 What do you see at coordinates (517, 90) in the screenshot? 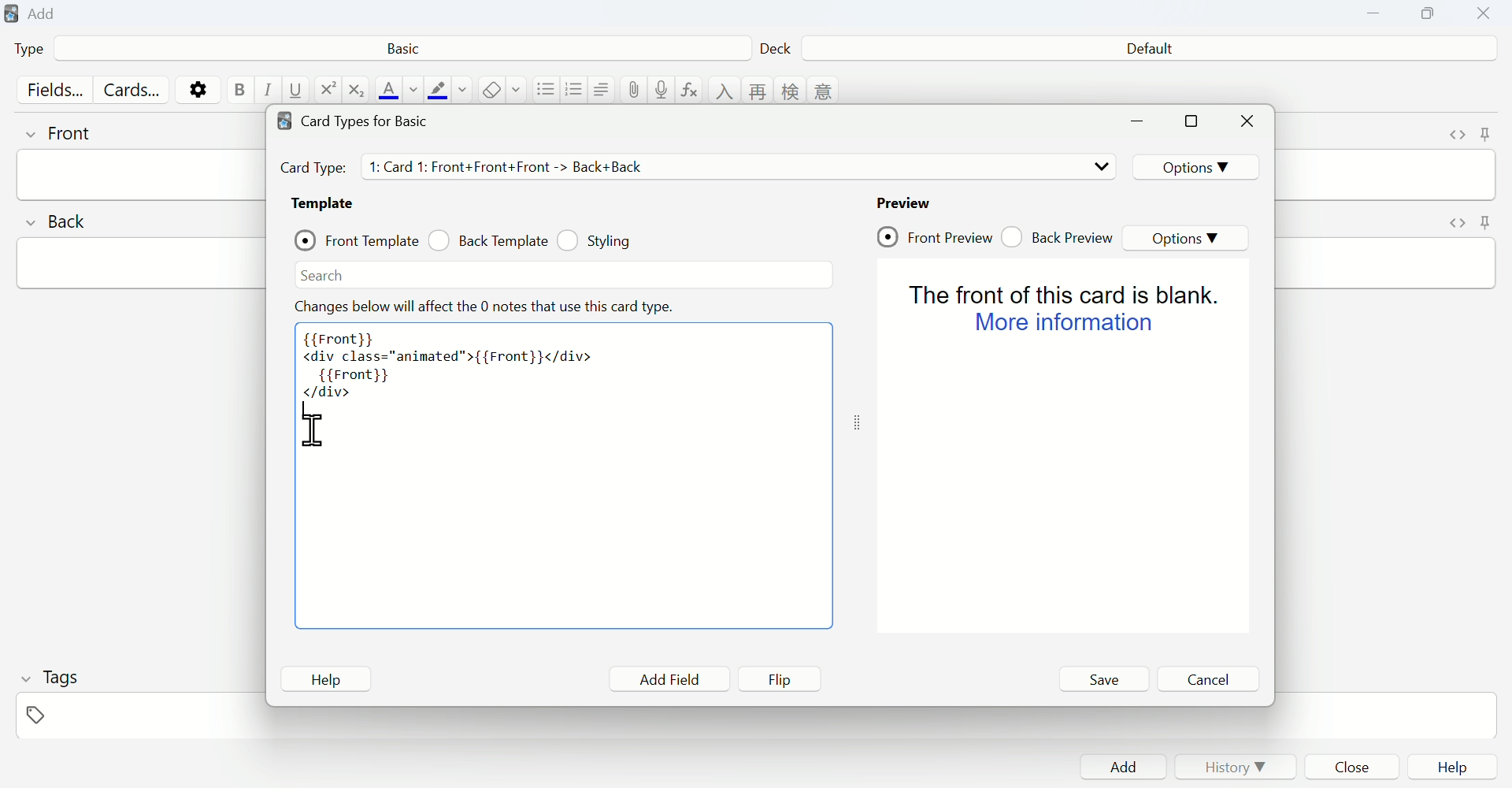
I see `select formatting to remove` at bounding box center [517, 90].